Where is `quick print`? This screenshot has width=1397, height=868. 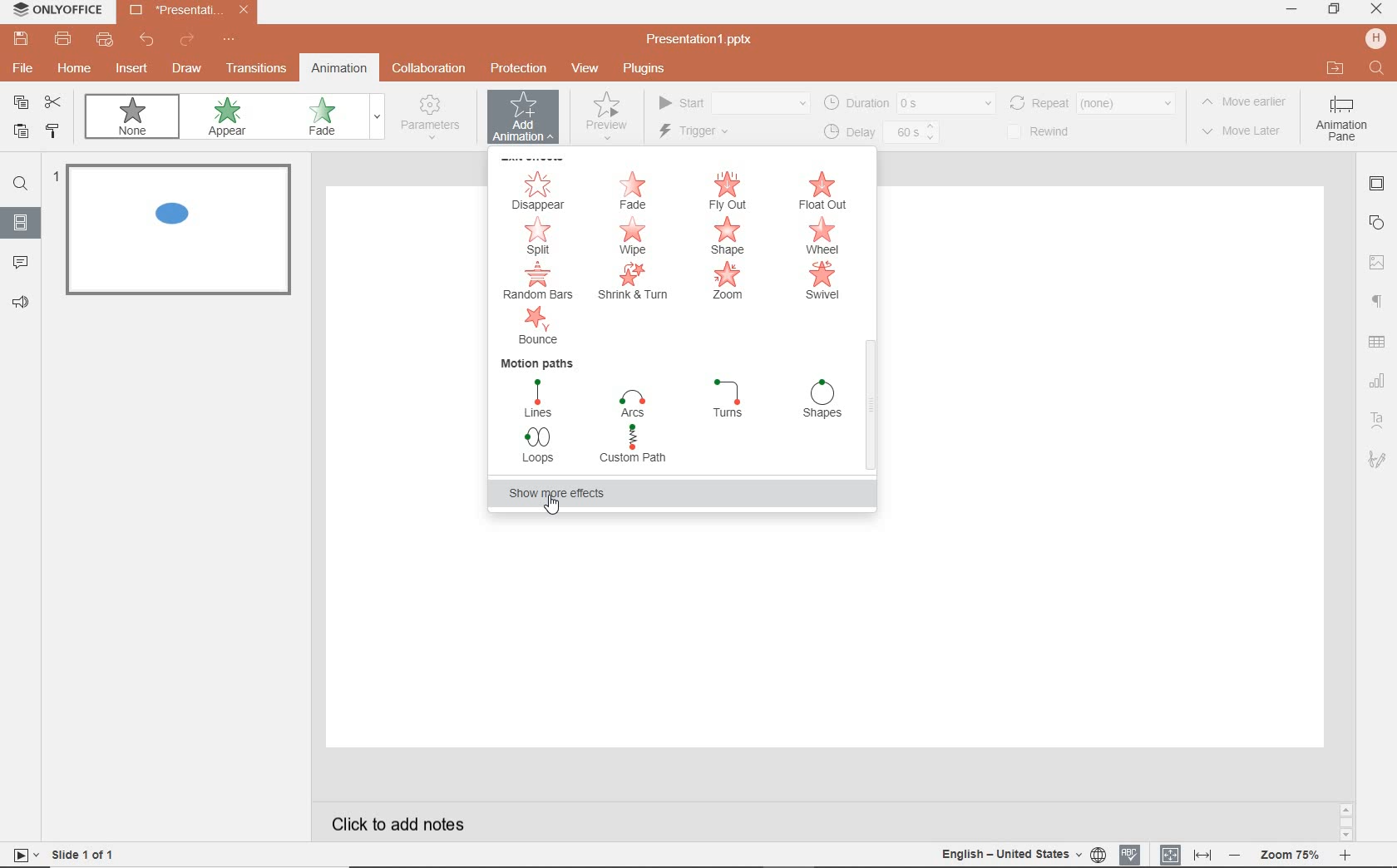
quick print is located at coordinates (106, 42).